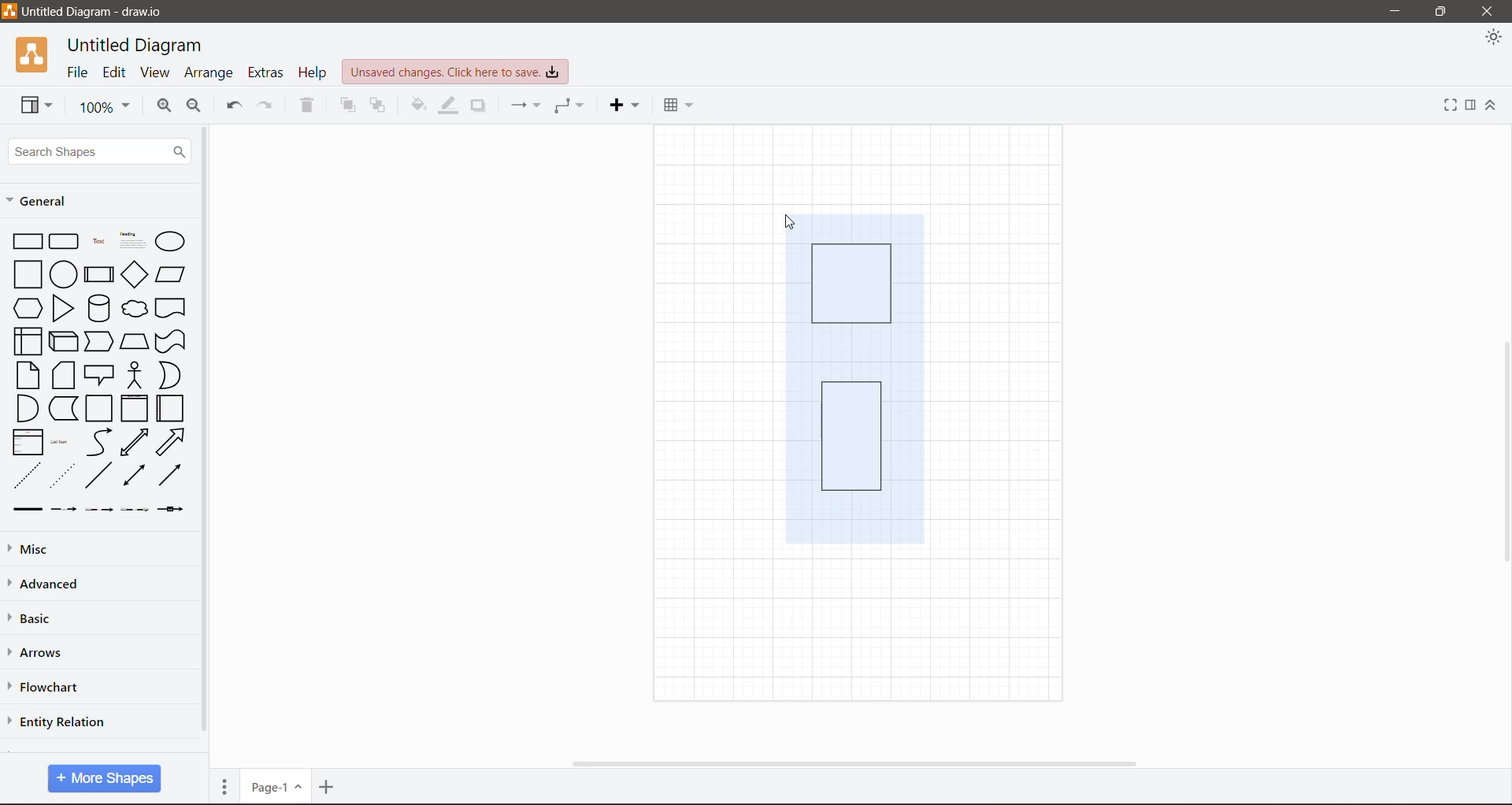  Describe the element at coordinates (154, 72) in the screenshot. I see `View` at that location.